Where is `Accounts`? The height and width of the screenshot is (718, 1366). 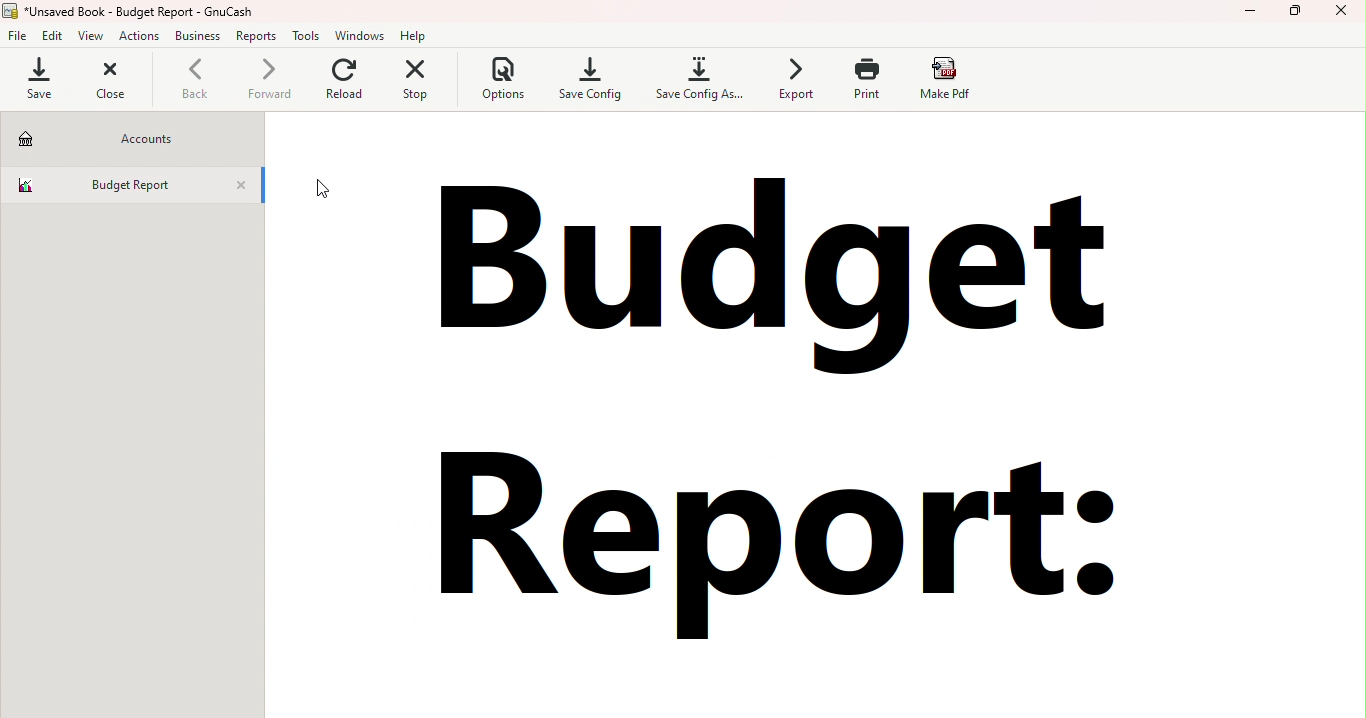 Accounts is located at coordinates (131, 138).